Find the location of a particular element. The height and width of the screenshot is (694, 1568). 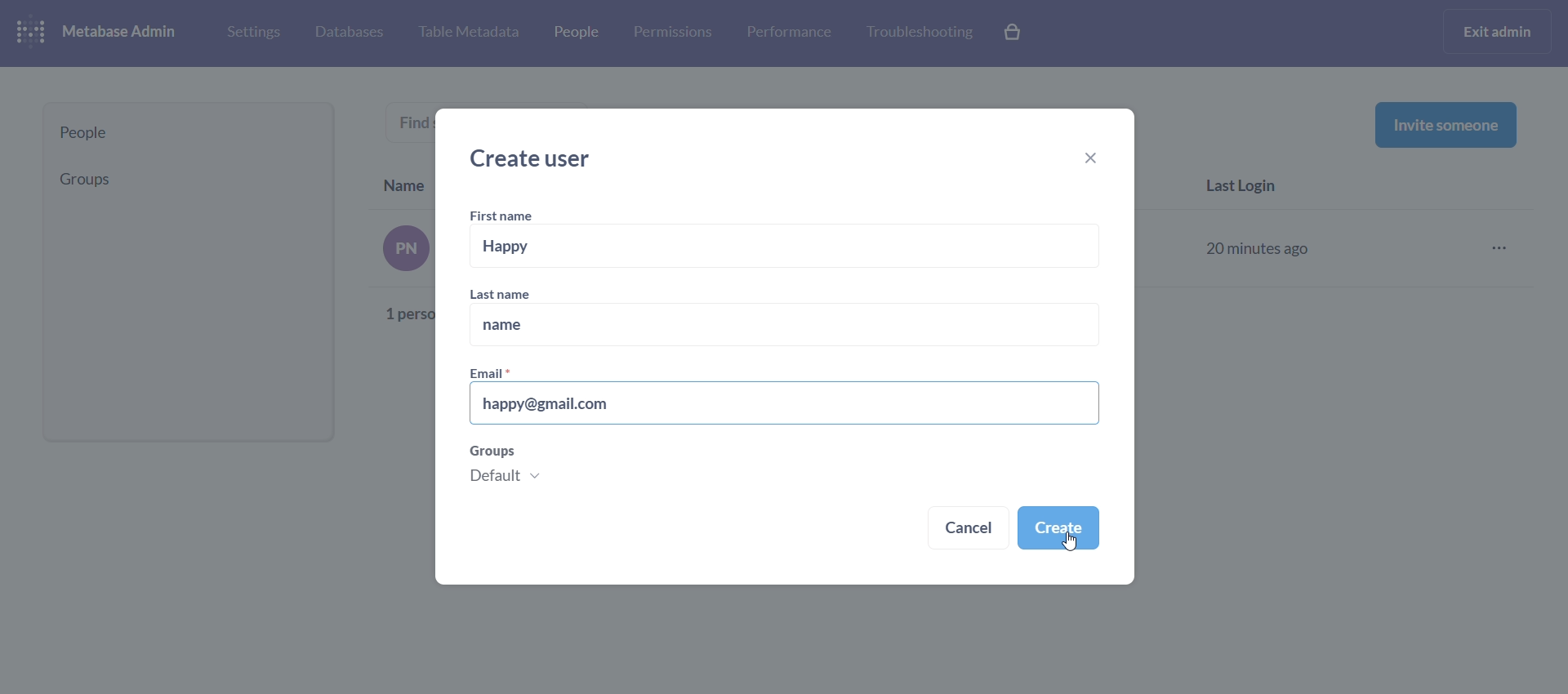

more is located at coordinates (1504, 249).